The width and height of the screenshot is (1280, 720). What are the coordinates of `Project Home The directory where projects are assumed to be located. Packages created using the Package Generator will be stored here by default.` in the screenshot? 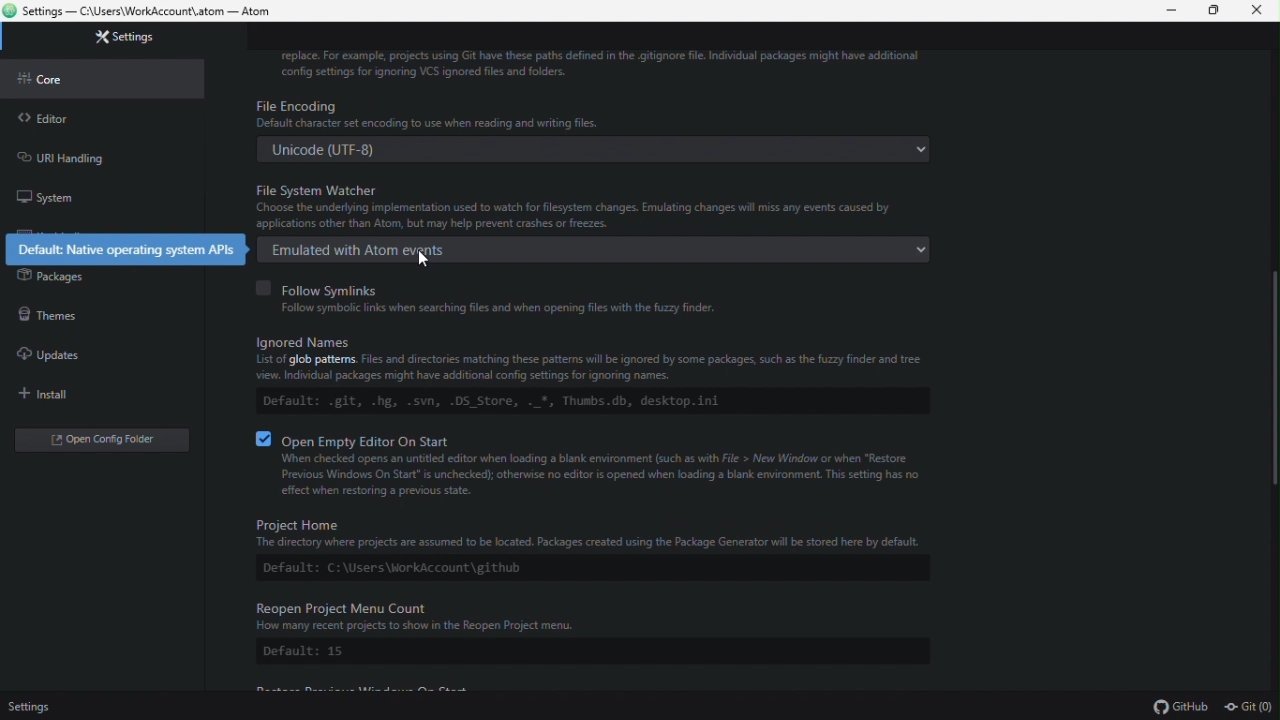 It's located at (577, 530).